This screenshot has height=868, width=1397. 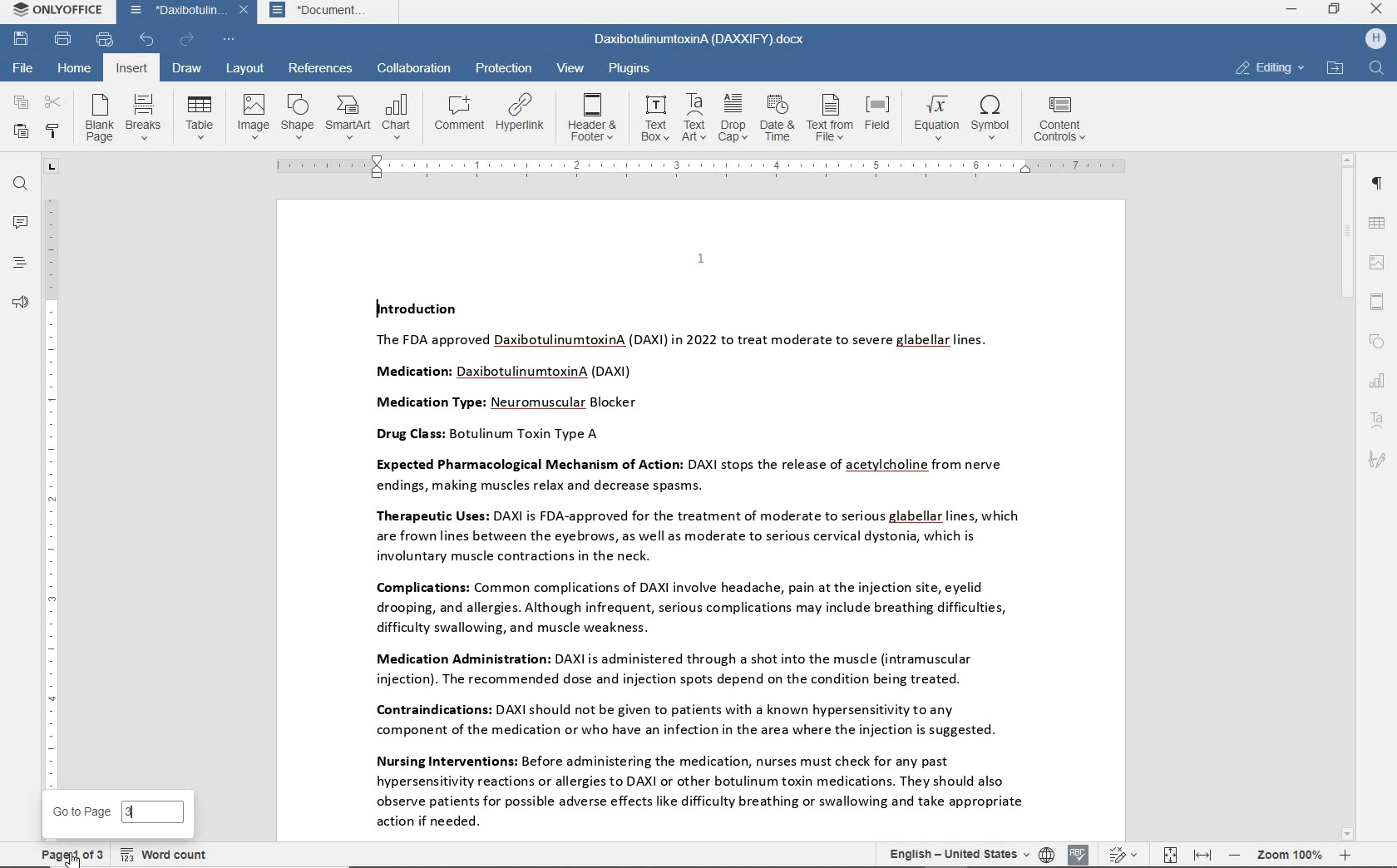 What do you see at coordinates (189, 69) in the screenshot?
I see `draw` at bounding box center [189, 69].